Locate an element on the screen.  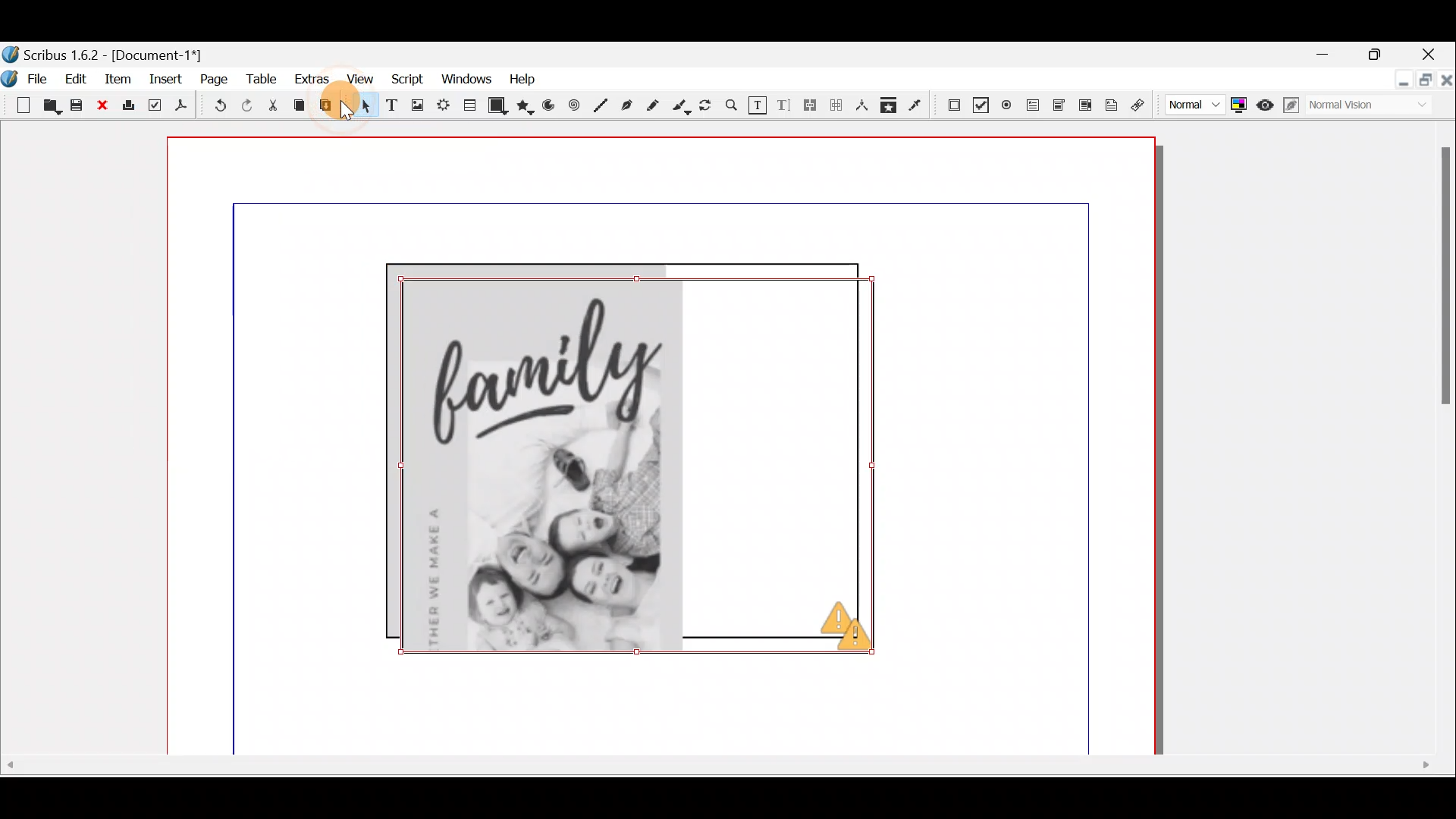
Image frame is located at coordinates (417, 106).